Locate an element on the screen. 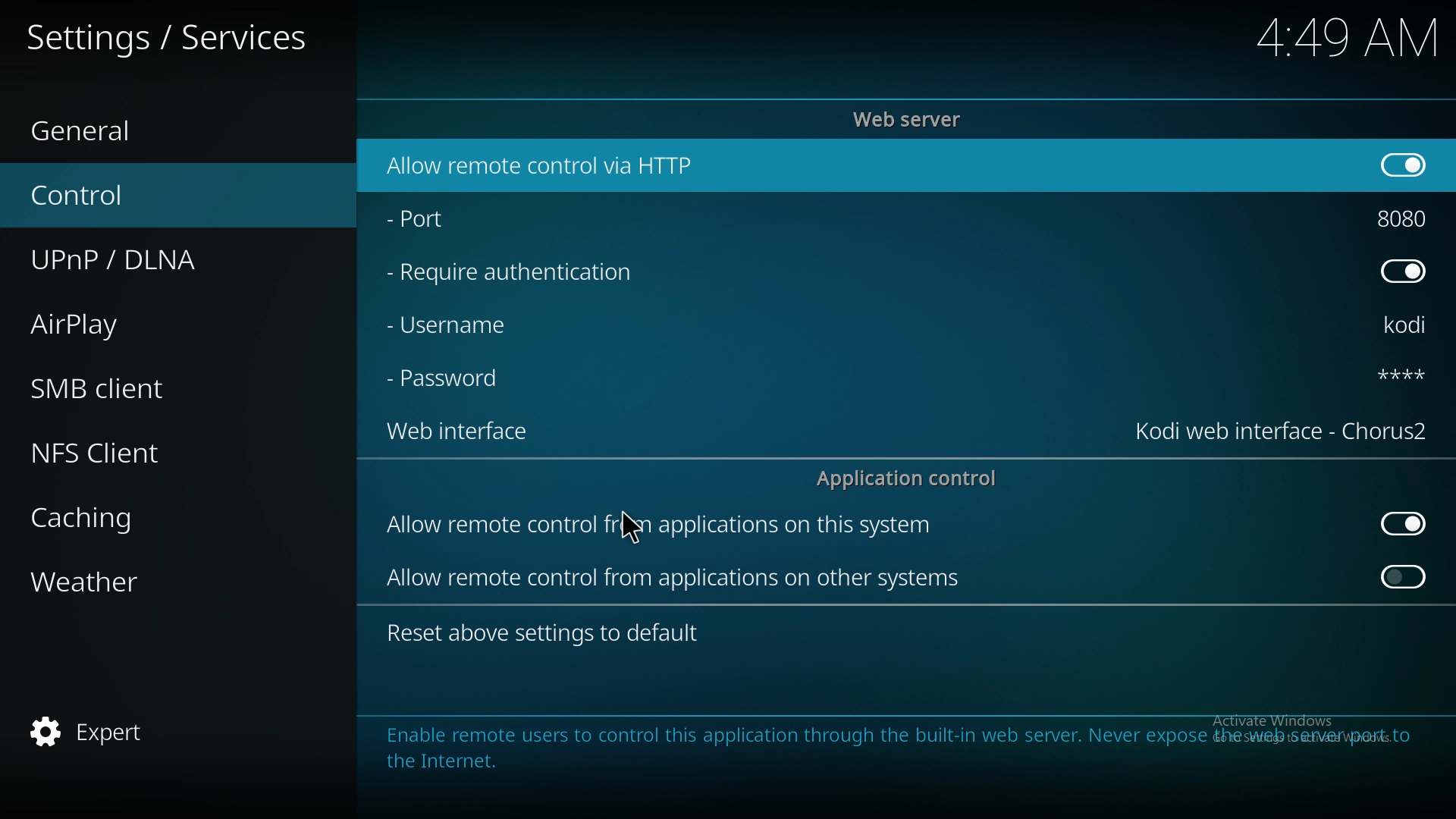   is located at coordinates (632, 526).